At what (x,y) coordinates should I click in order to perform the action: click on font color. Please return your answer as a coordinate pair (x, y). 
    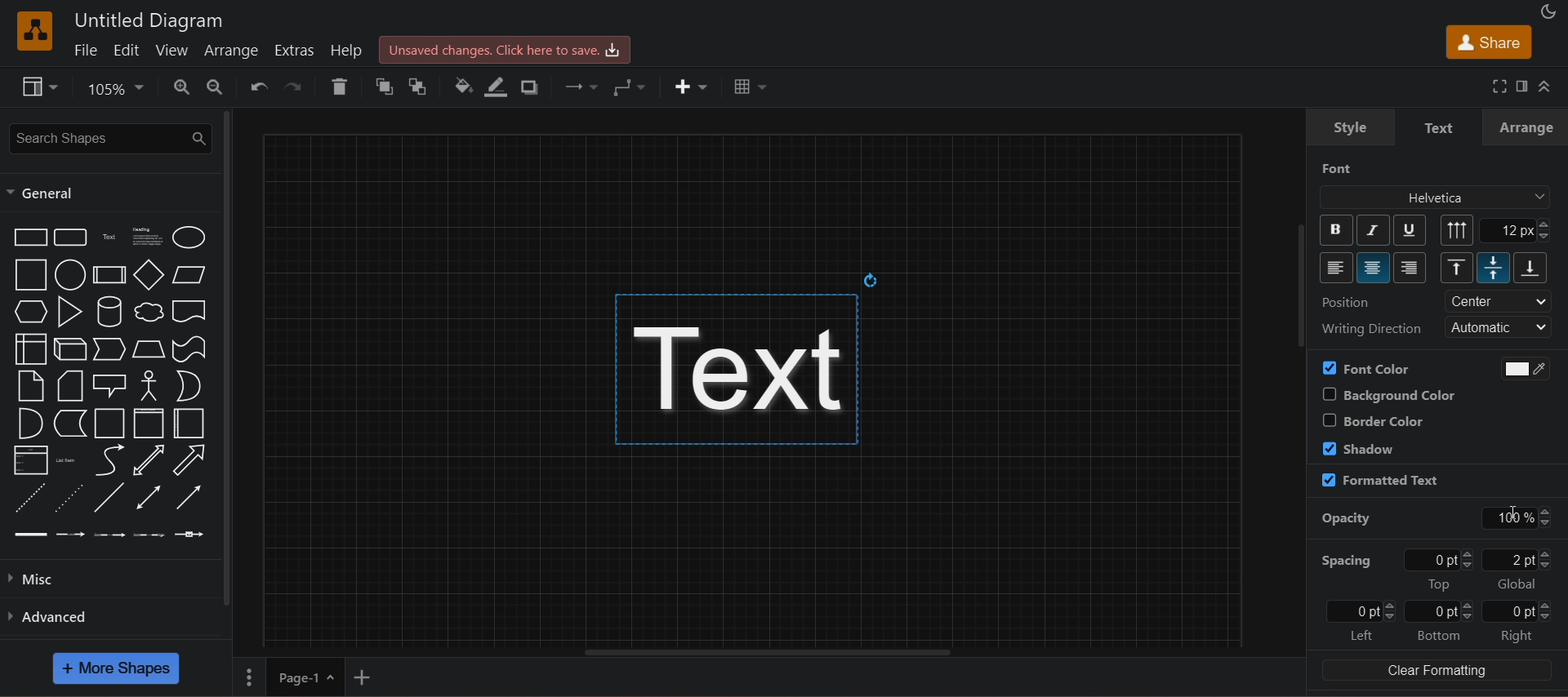
    Looking at the image, I should click on (1366, 368).